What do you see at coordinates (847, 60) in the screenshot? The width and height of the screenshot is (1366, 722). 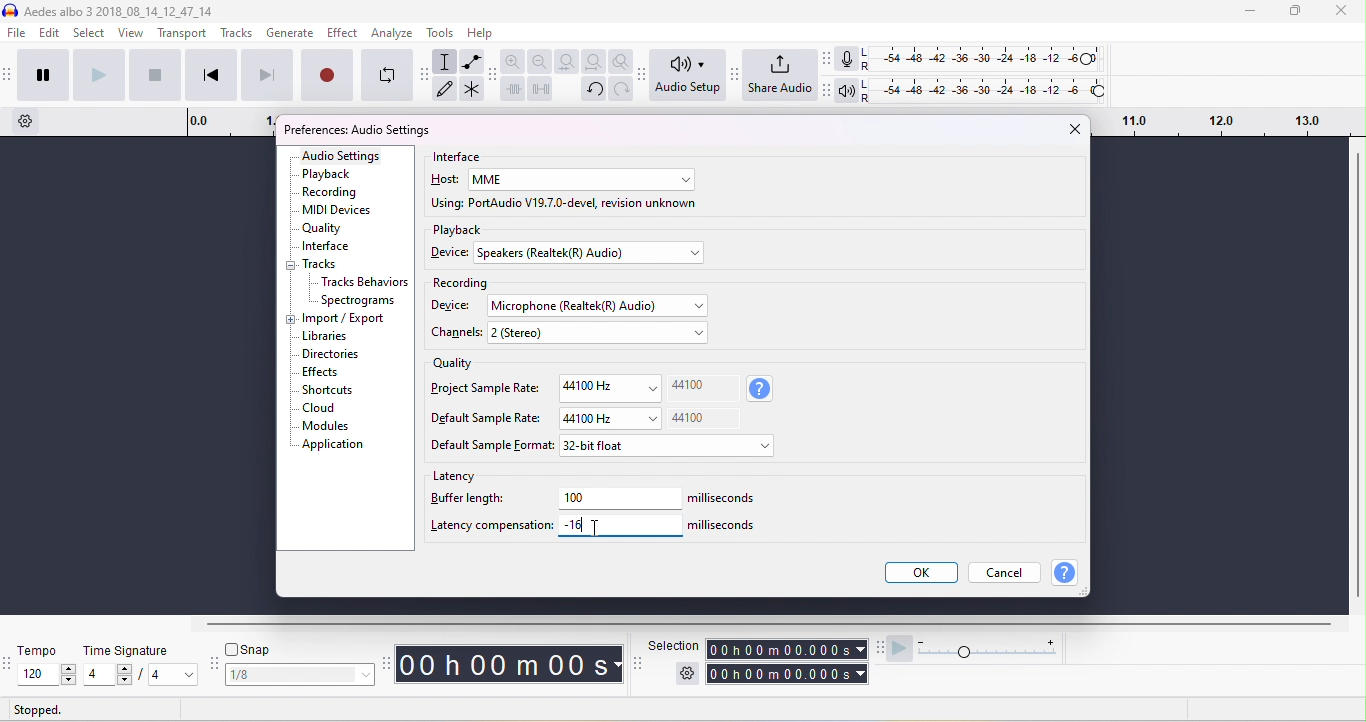 I see `recording meter` at bounding box center [847, 60].